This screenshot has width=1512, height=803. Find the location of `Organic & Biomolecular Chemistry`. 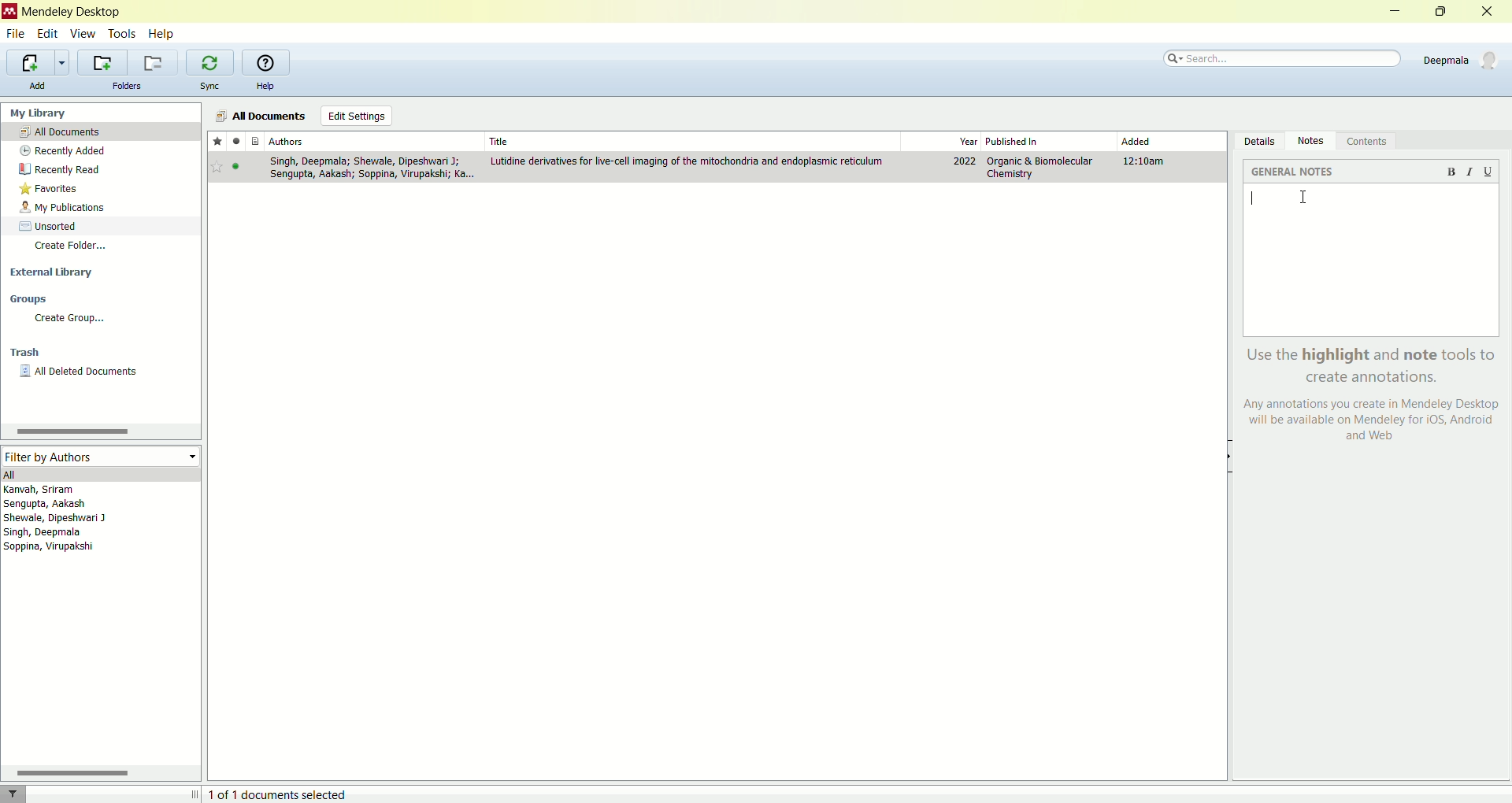

Organic & Biomolecular Chemistry is located at coordinates (1039, 167).